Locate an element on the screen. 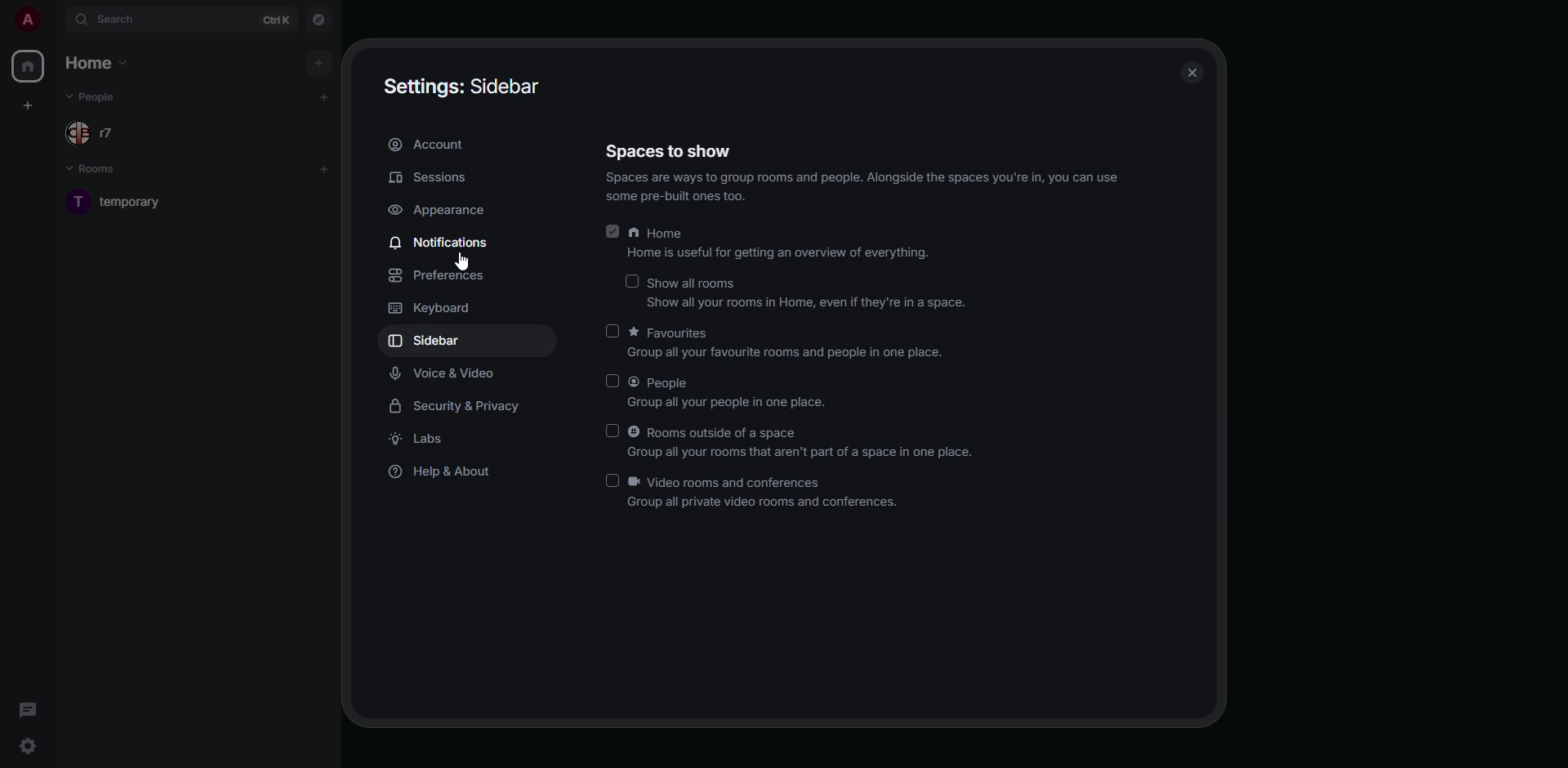  room is located at coordinates (140, 200).